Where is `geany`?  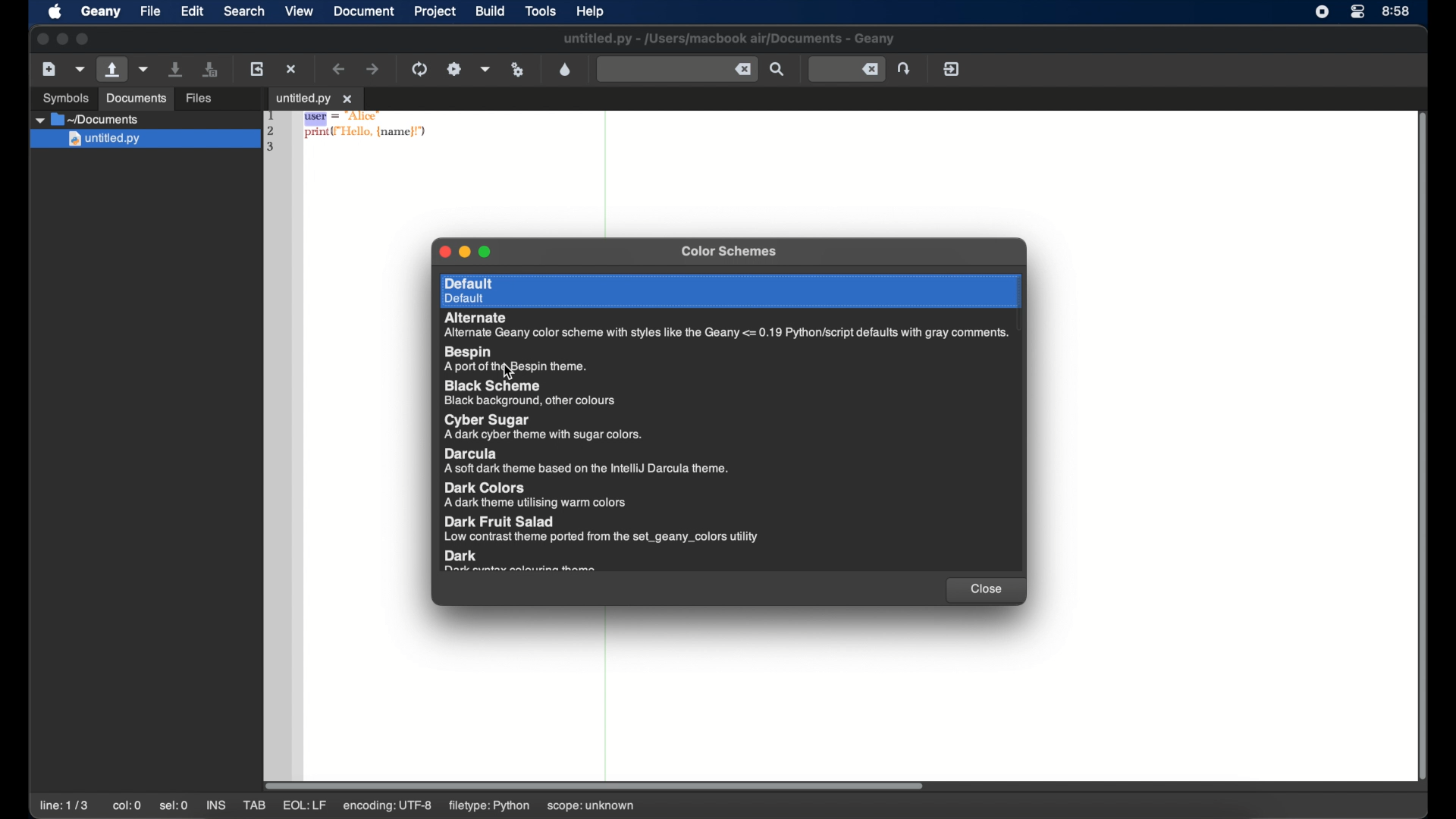
geany is located at coordinates (99, 12).